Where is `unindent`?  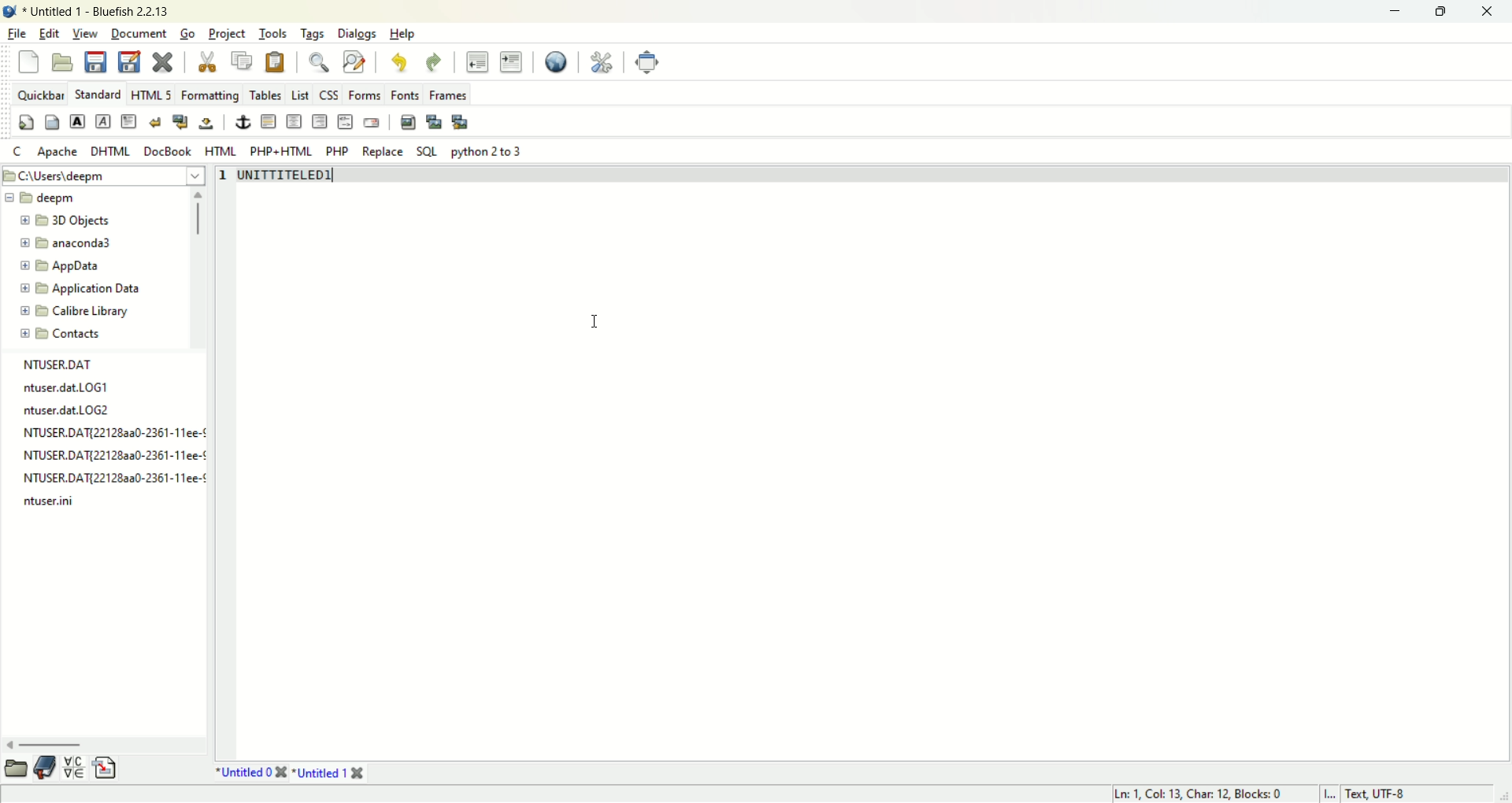 unindent is located at coordinates (478, 60).